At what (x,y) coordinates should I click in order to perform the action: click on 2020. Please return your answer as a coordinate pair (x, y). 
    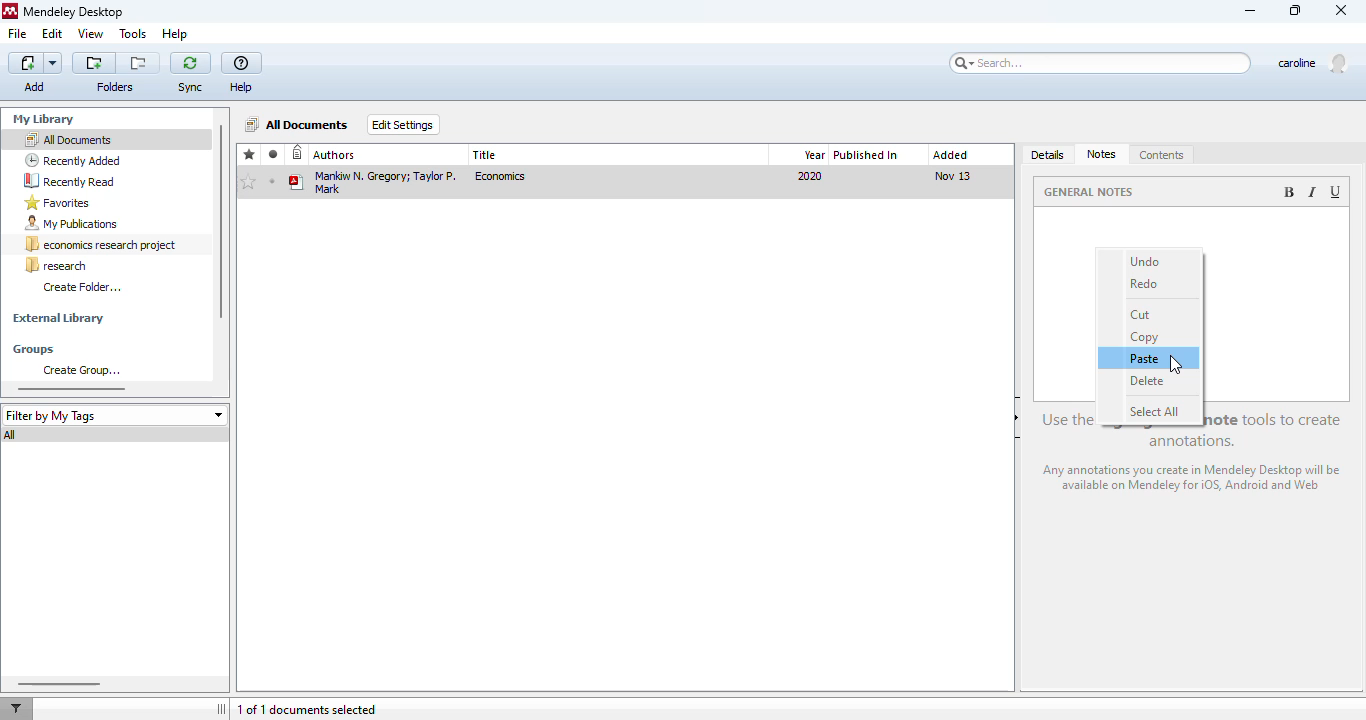
    Looking at the image, I should click on (810, 176).